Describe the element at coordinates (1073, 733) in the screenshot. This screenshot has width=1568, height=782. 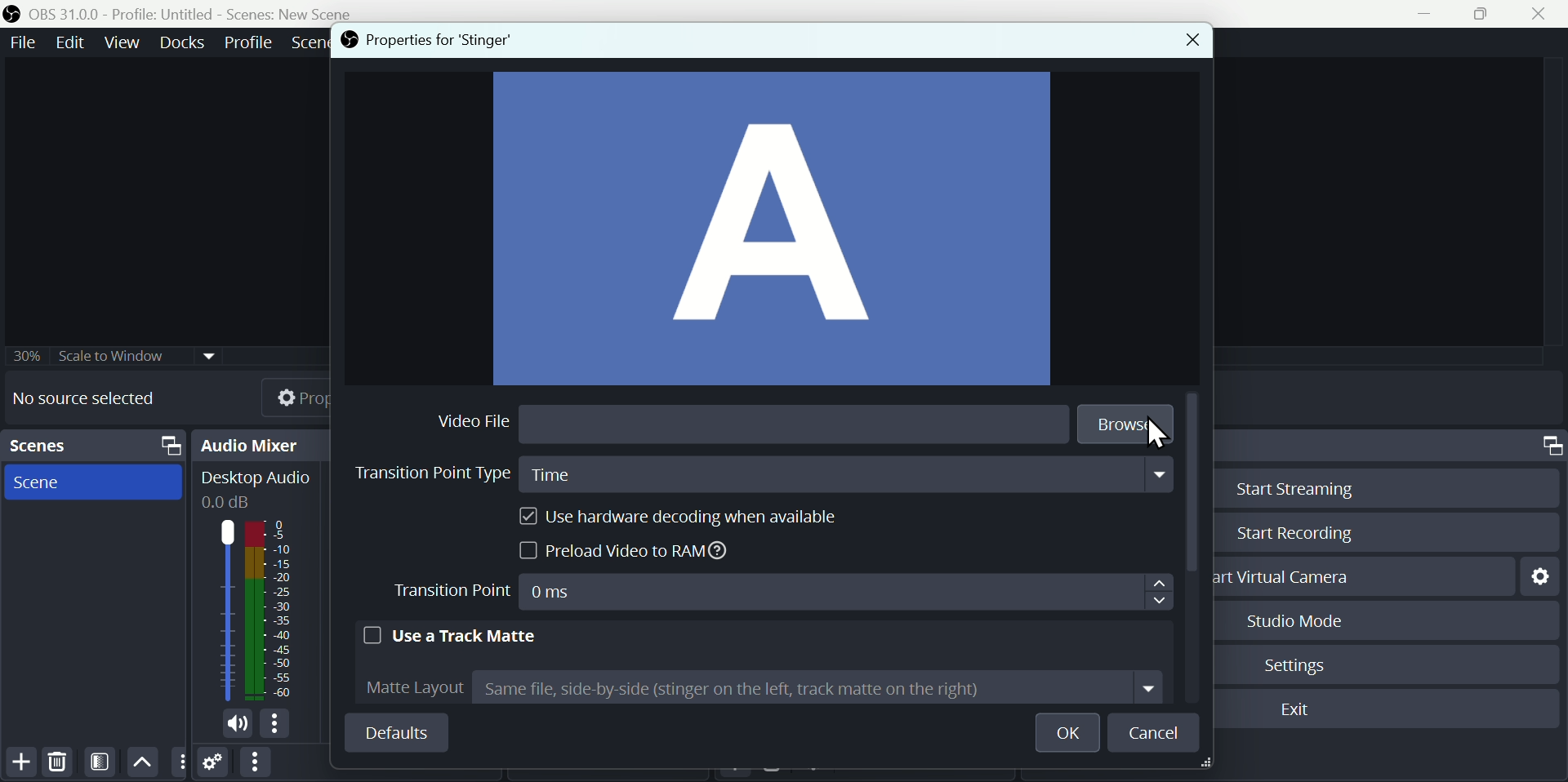
I see `O K` at that location.